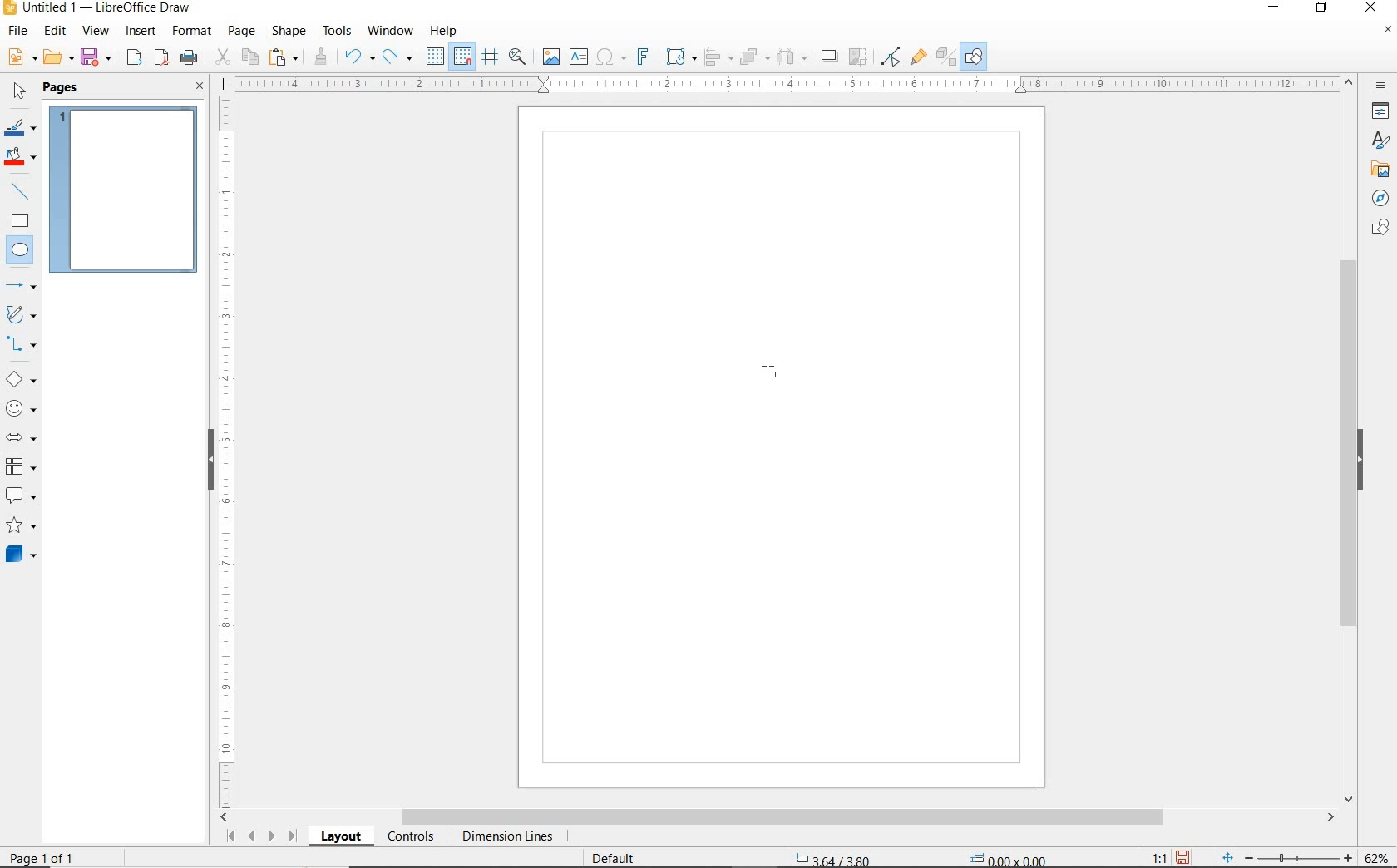 The height and width of the screenshot is (868, 1397). I want to click on ELLIPSE, so click(21, 251).